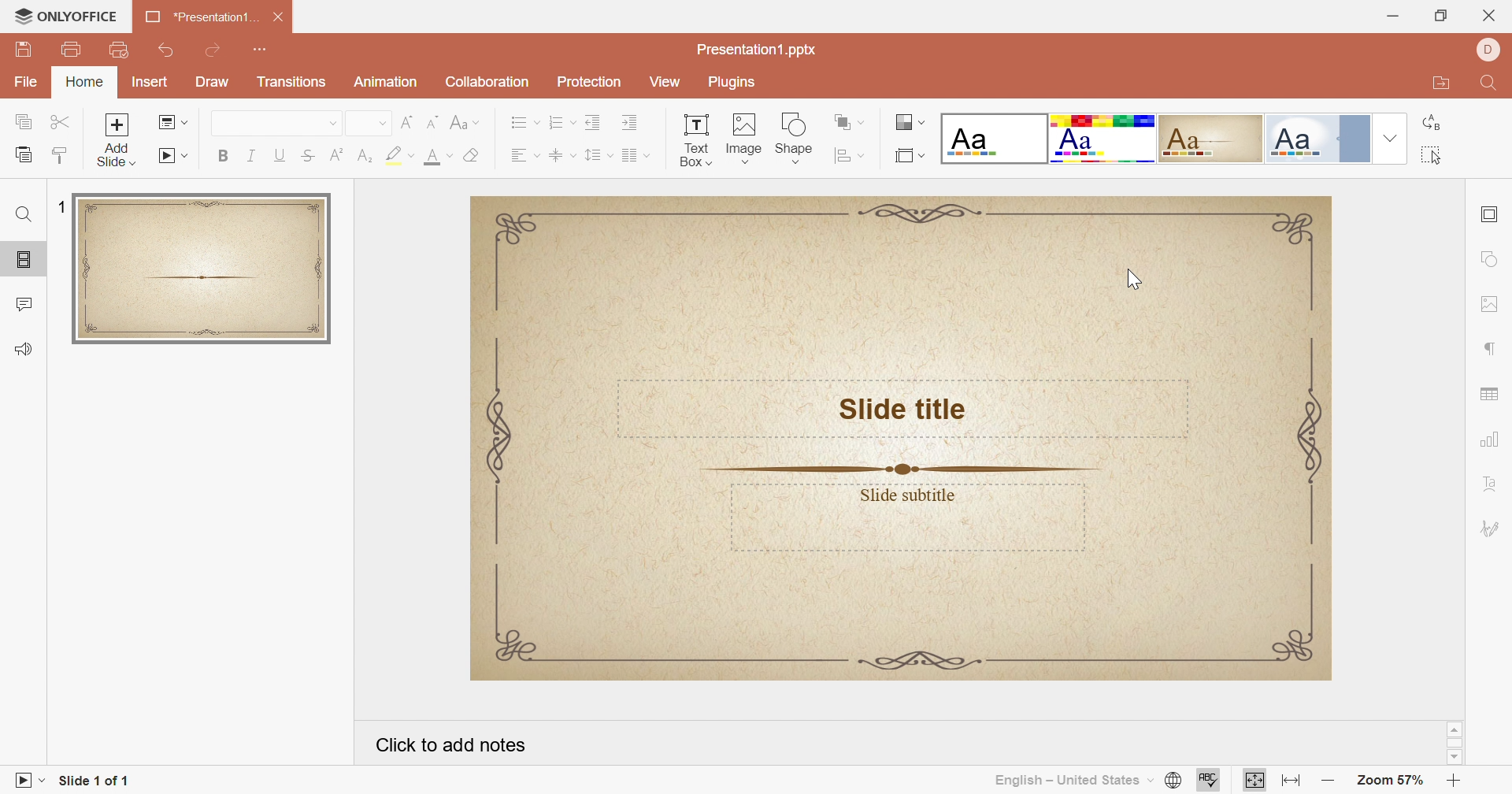  What do you see at coordinates (216, 48) in the screenshot?
I see `Redo` at bounding box center [216, 48].